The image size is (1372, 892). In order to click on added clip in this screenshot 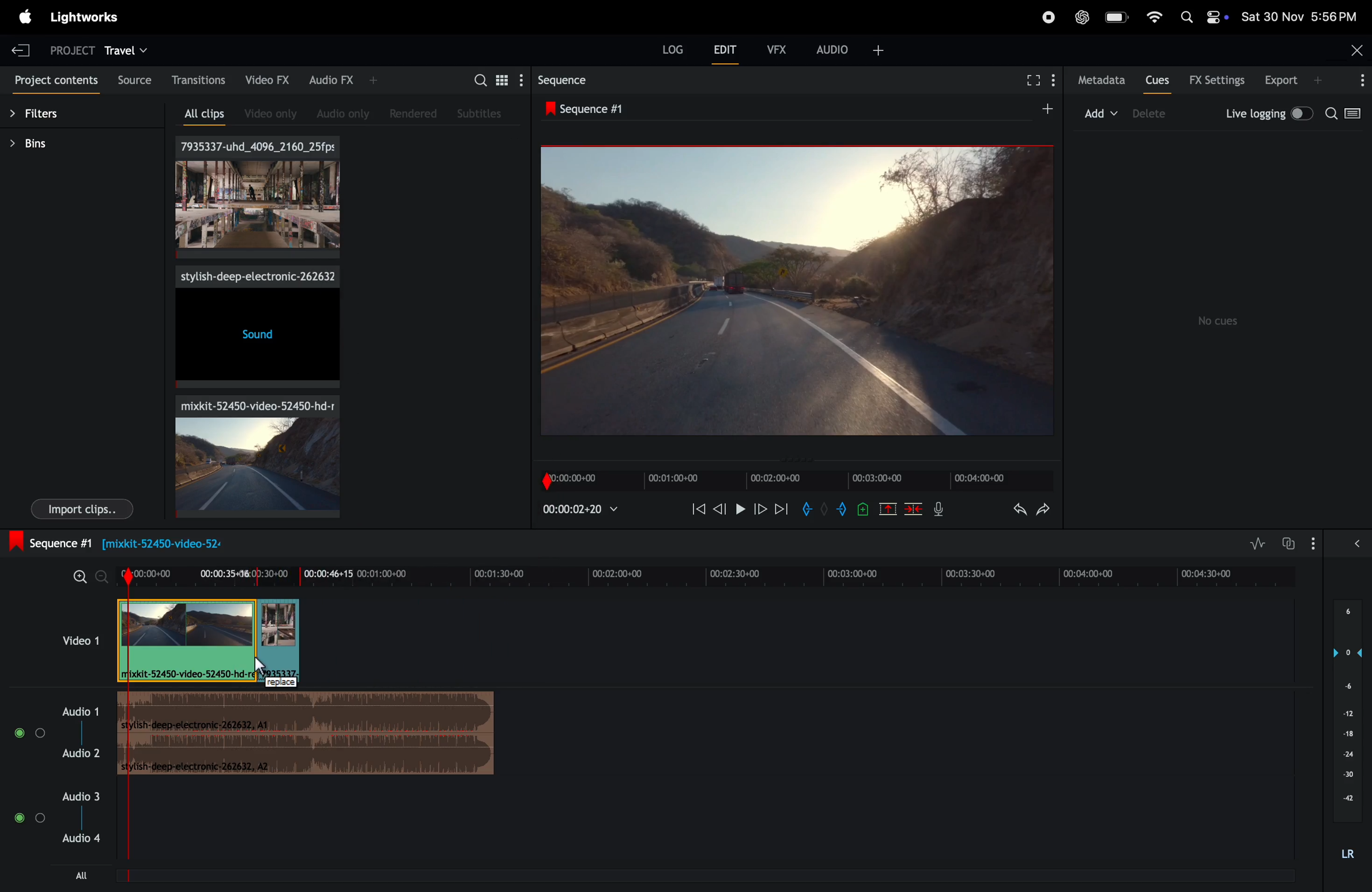, I will do `click(279, 641)`.